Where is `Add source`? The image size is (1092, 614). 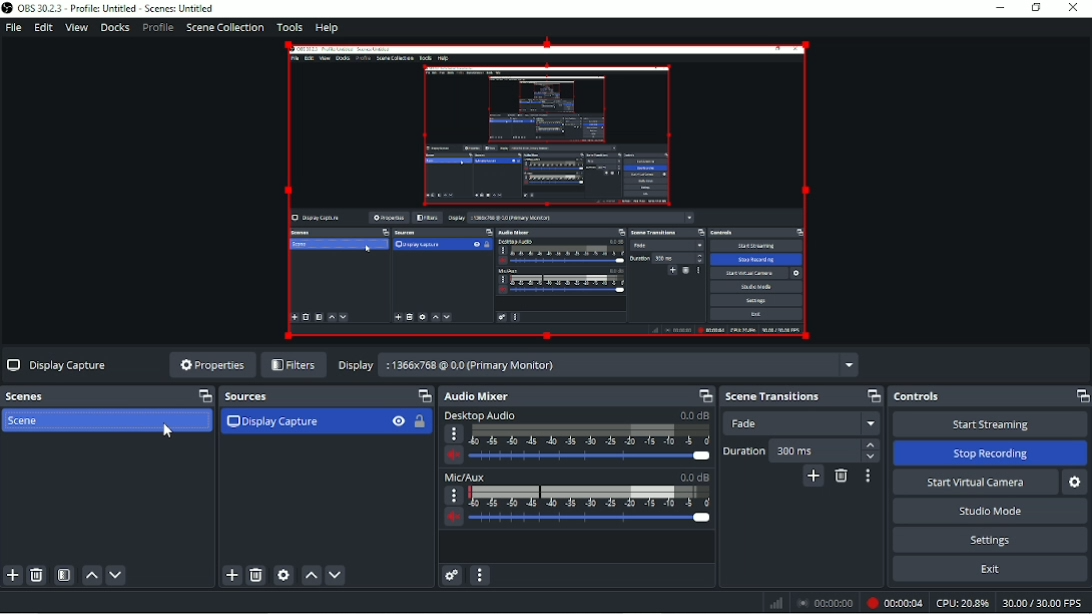 Add source is located at coordinates (232, 576).